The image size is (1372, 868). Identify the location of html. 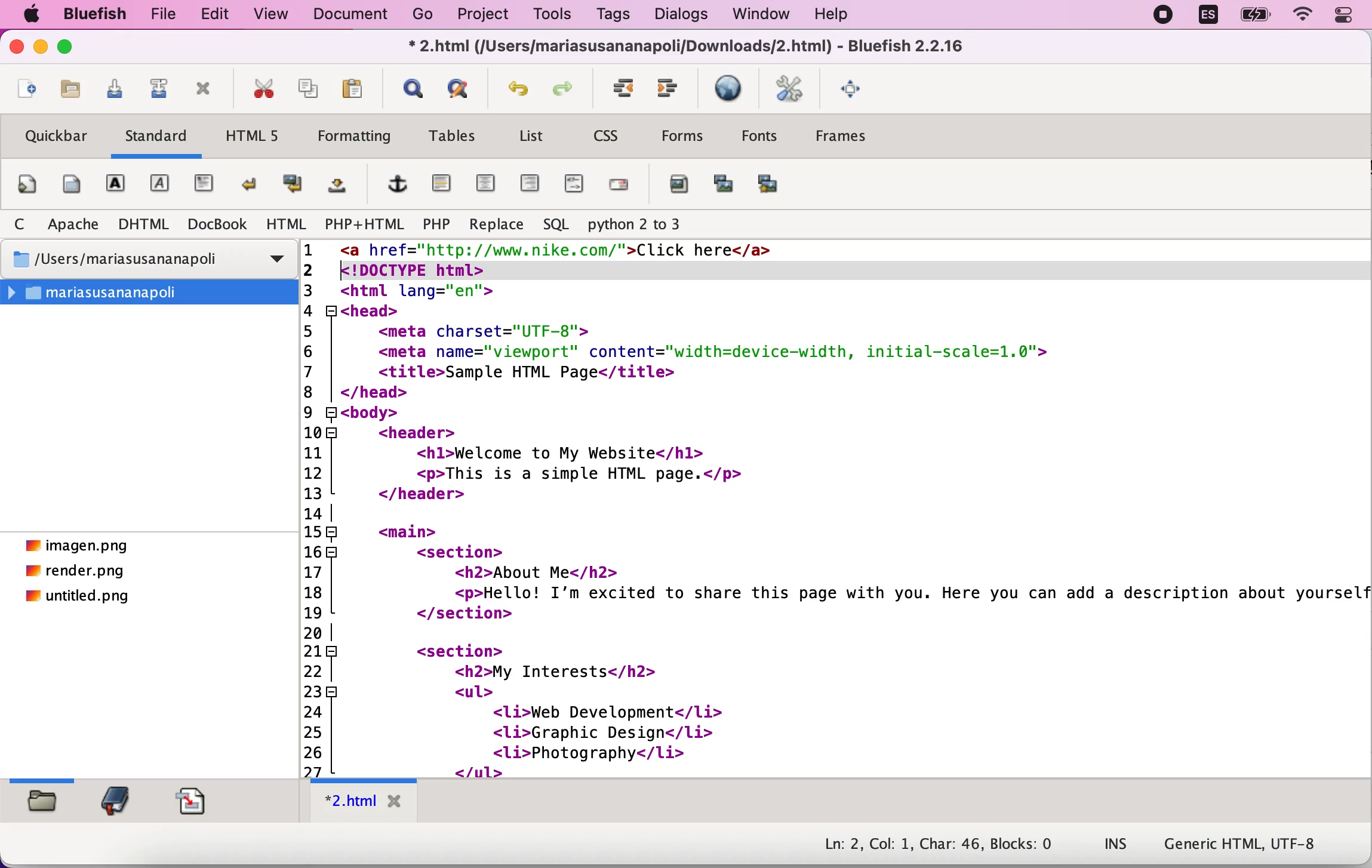
(285, 224).